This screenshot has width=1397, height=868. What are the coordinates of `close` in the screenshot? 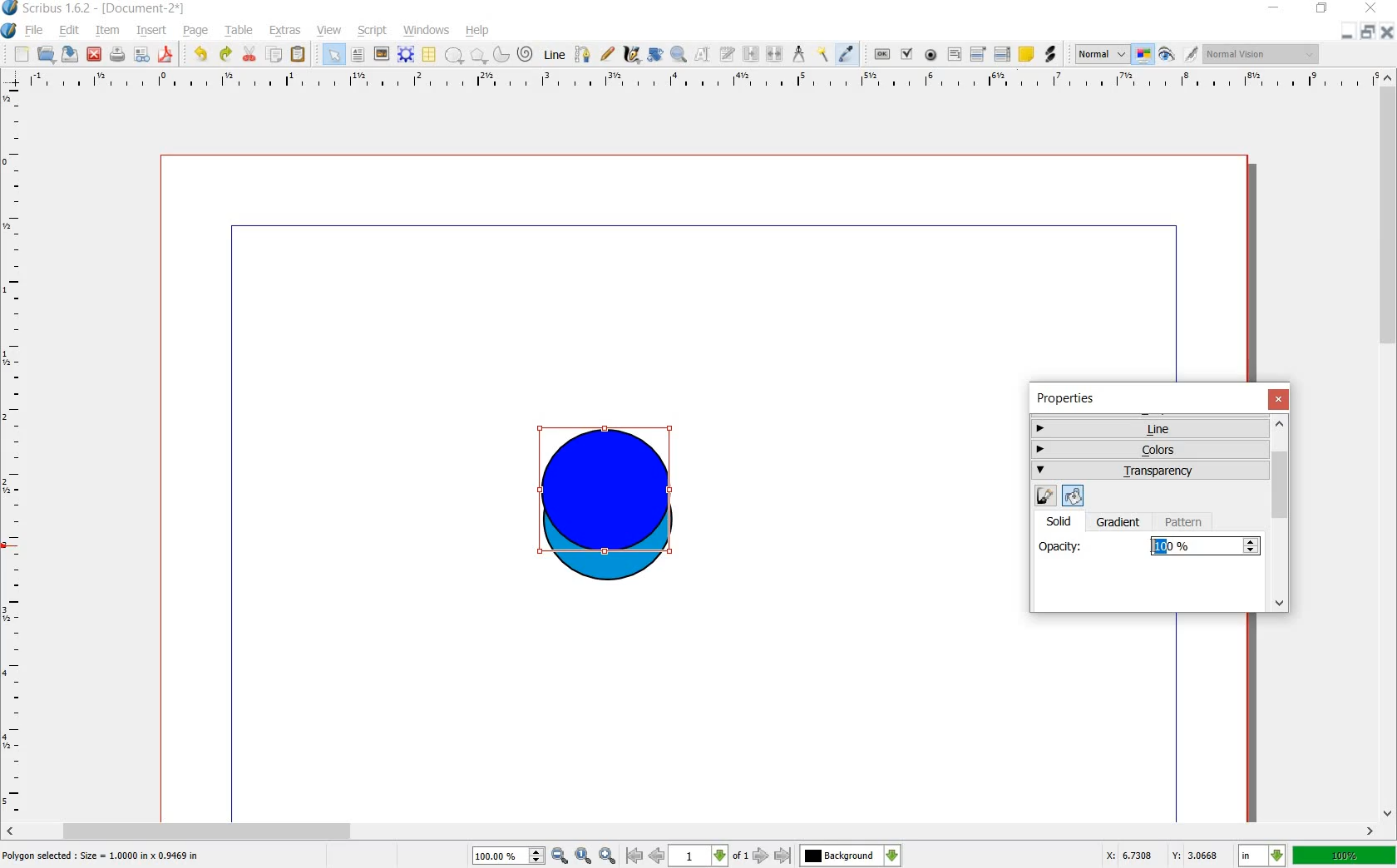 It's located at (1387, 32).